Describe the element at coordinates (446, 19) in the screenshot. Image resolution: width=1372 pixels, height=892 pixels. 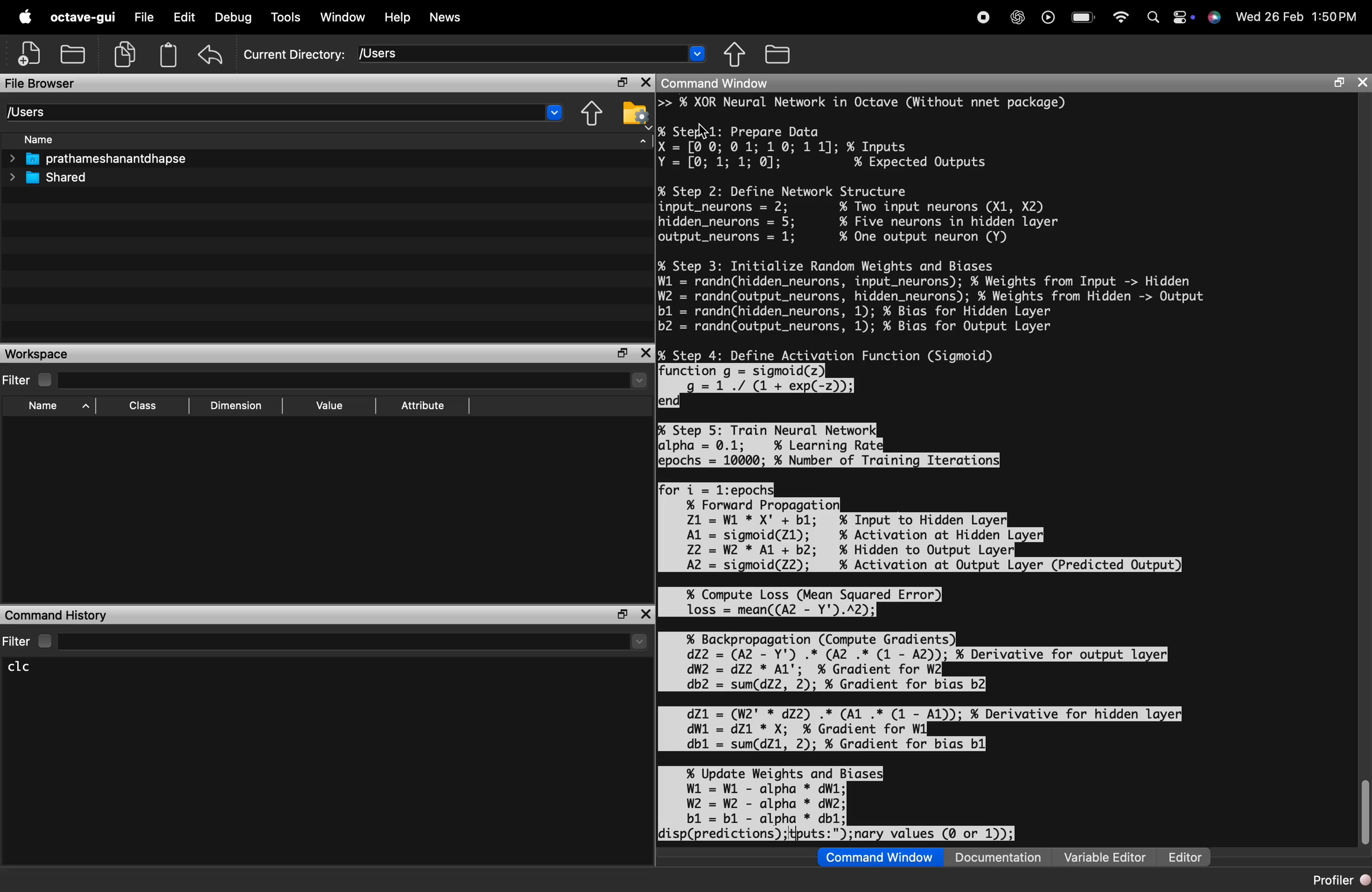
I see `News` at that location.